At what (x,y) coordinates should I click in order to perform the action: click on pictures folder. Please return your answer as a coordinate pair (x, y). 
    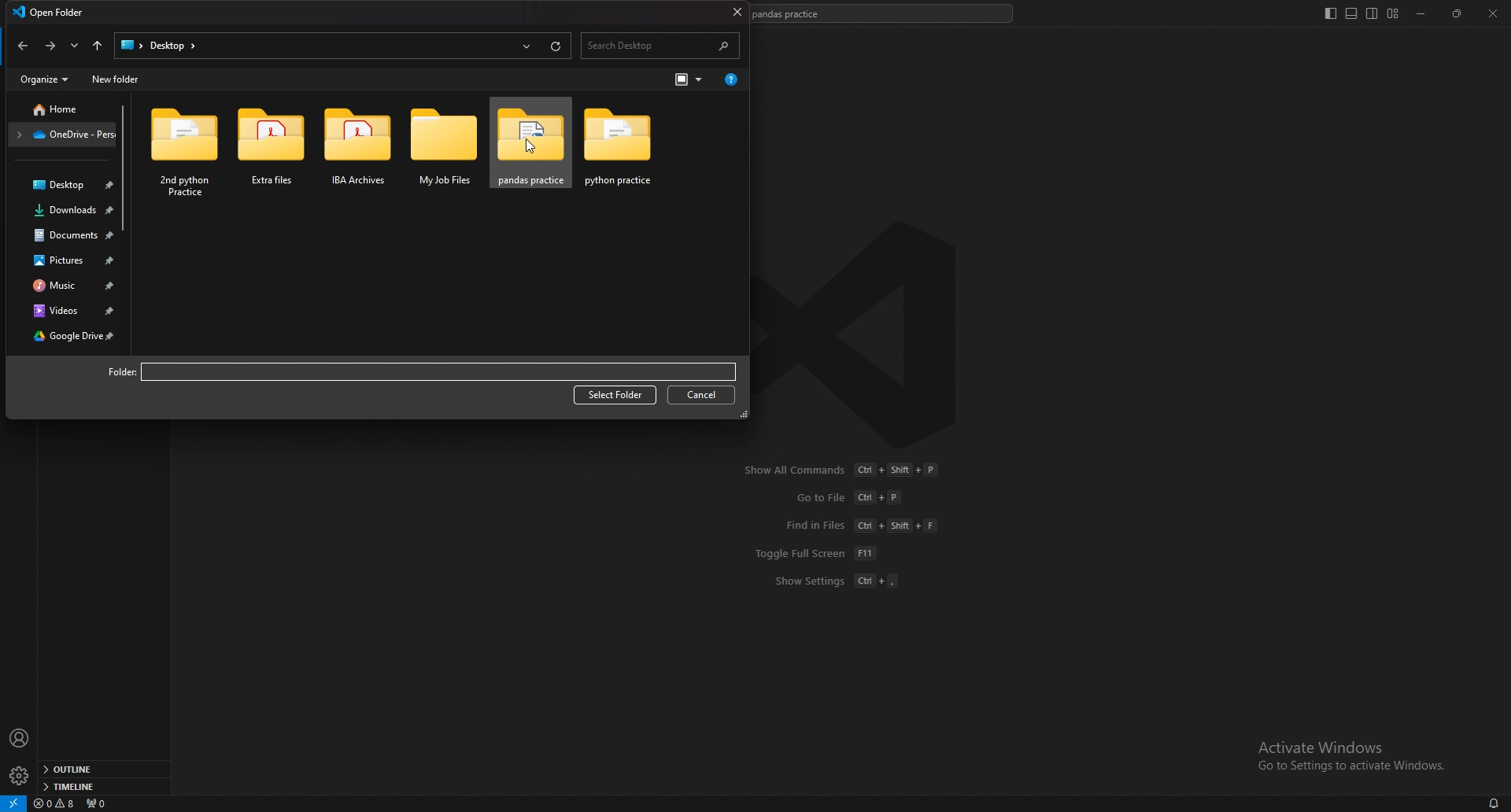
    Looking at the image, I should click on (68, 260).